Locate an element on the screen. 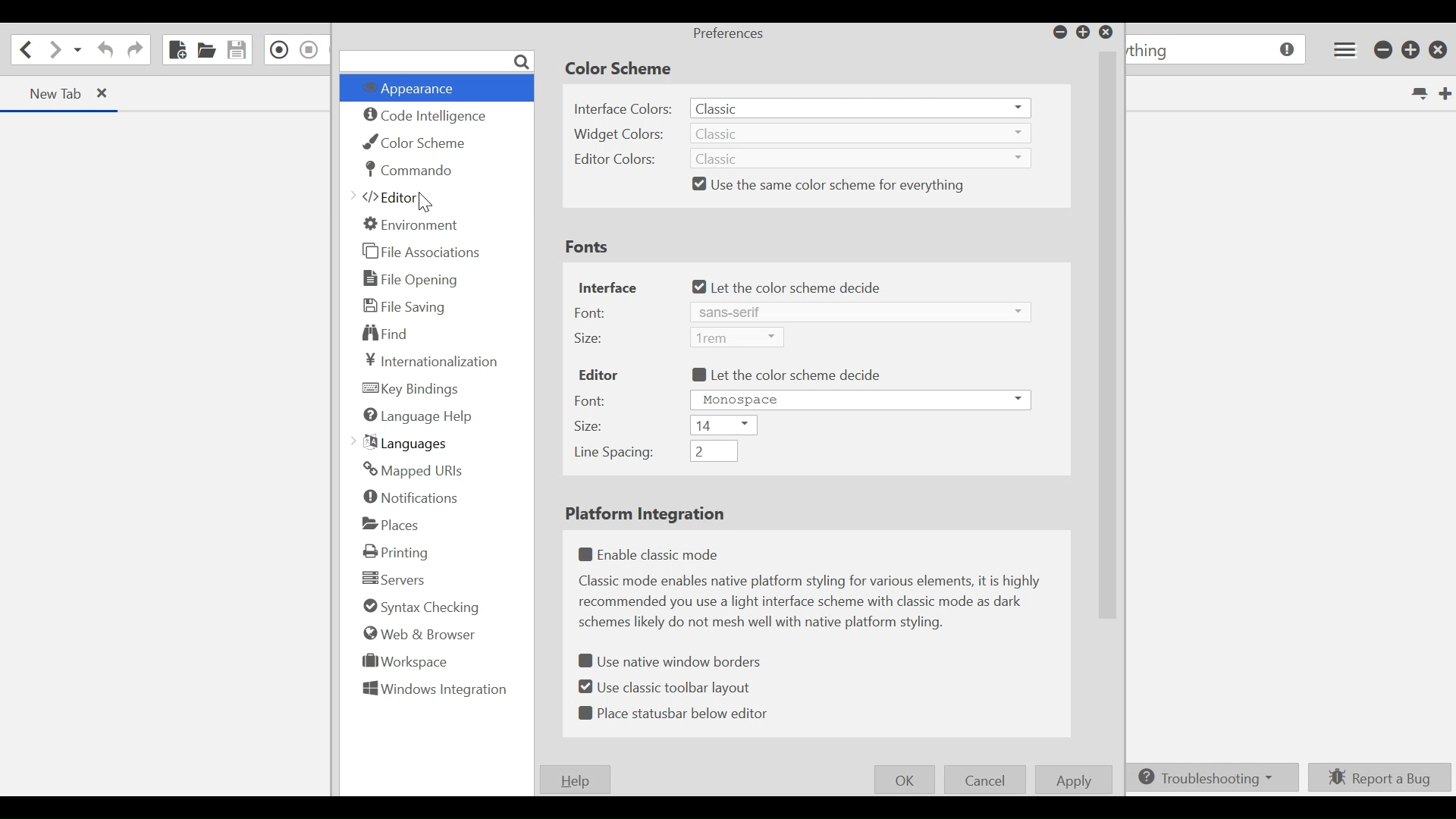 The width and height of the screenshot is (1456, 819). Stop Recording Macro is located at coordinates (309, 49).